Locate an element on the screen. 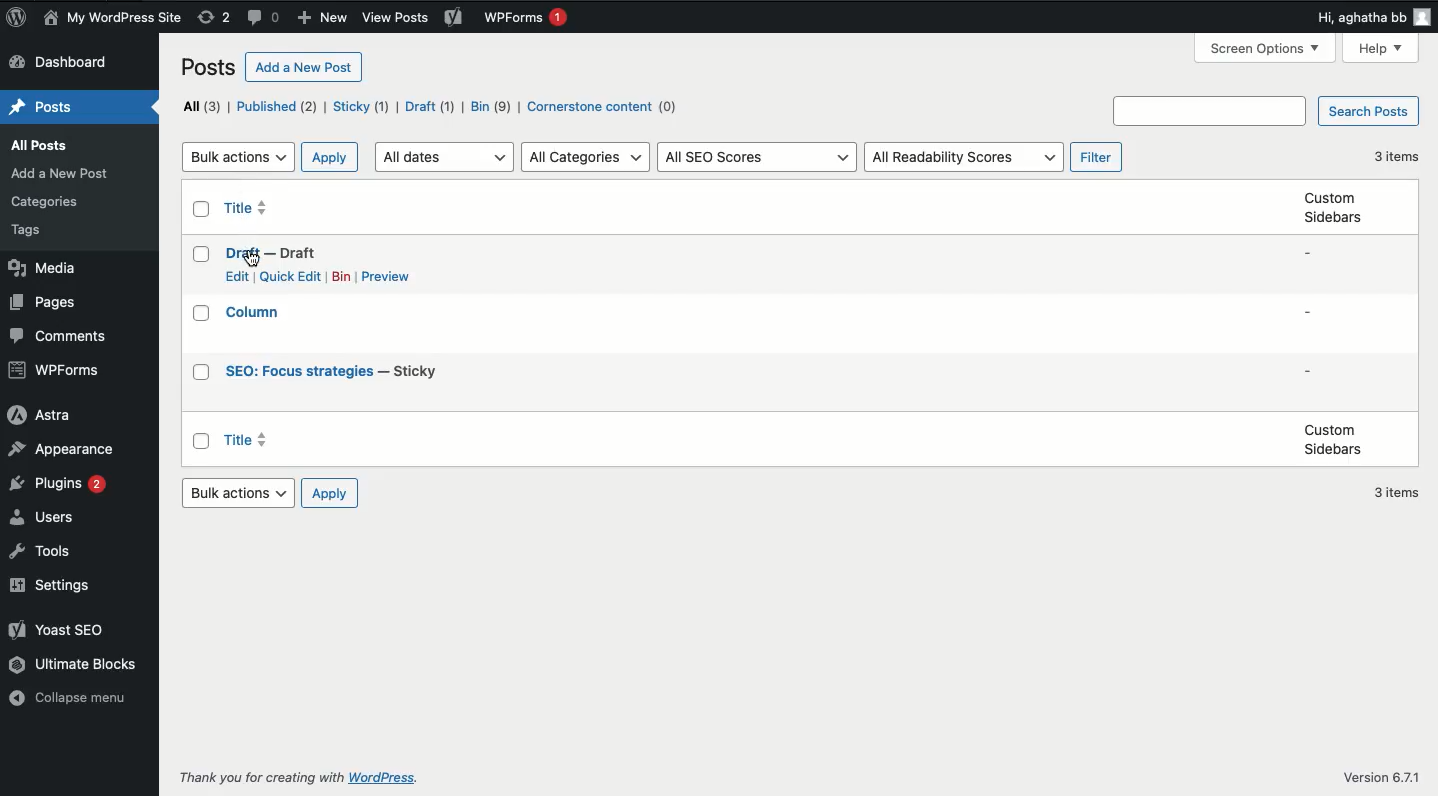  Hi user is located at coordinates (1371, 15).